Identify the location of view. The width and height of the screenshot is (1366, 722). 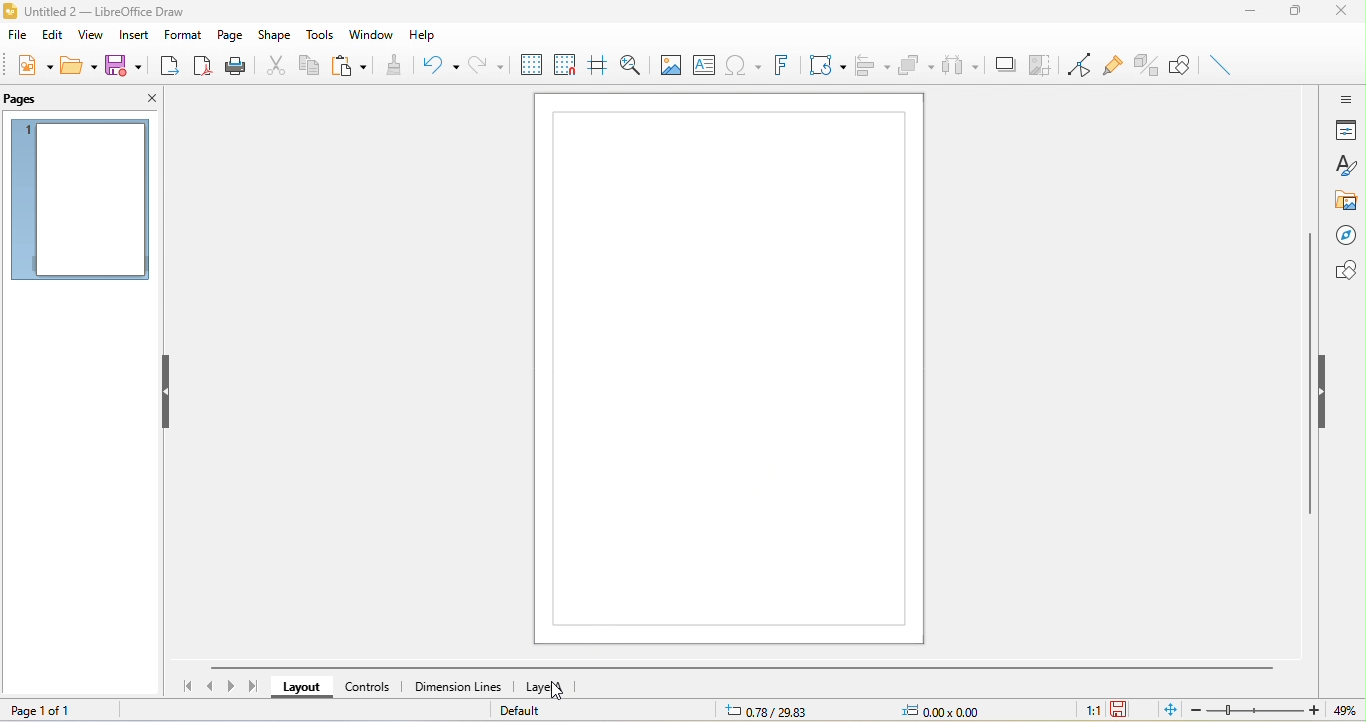
(89, 35).